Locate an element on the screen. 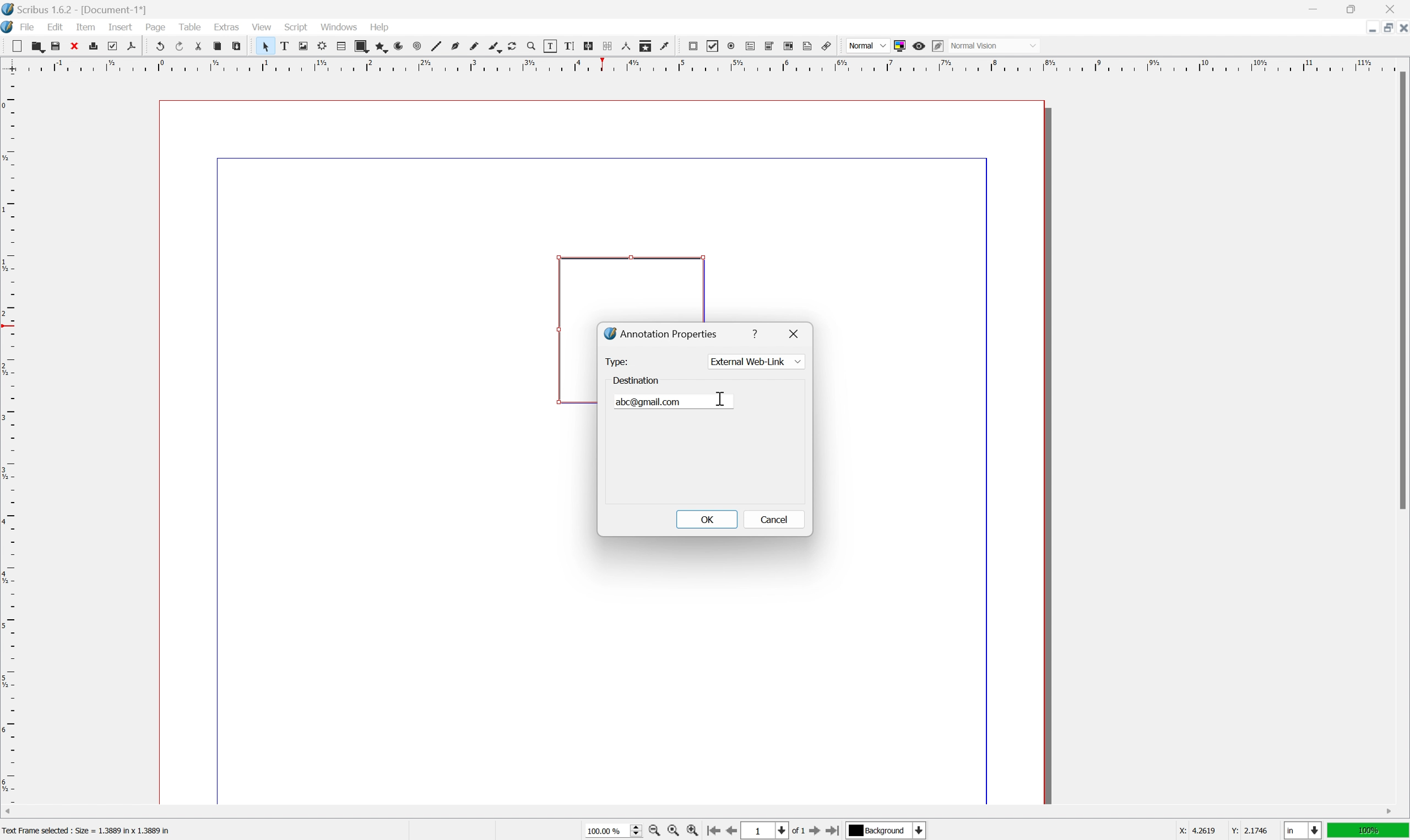 This screenshot has width=1410, height=840. Help is located at coordinates (381, 28).